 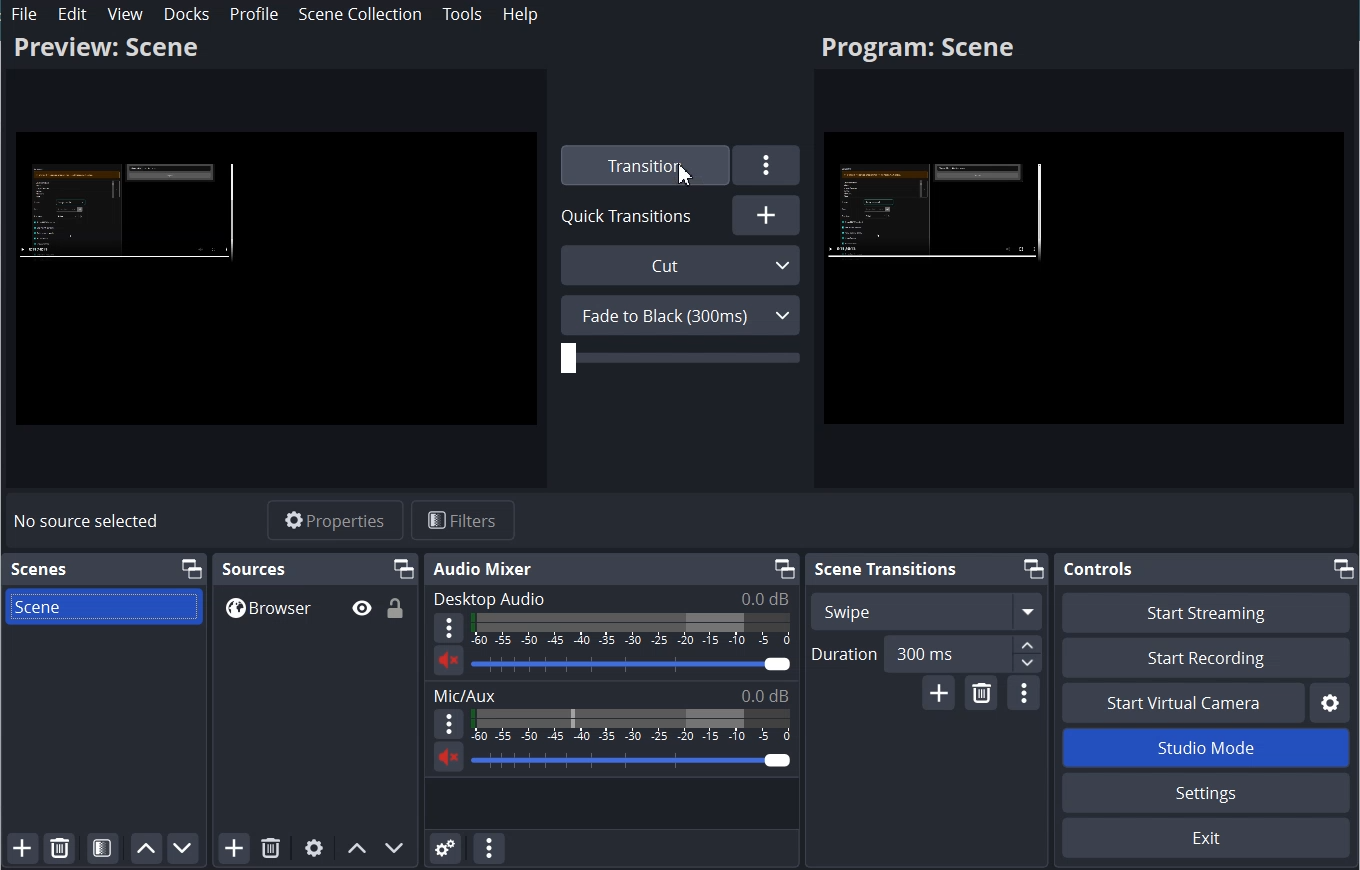 What do you see at coordinates (633, 215) in the screenshot?
I see `Quick Transition` at bounding box center [633, 215].